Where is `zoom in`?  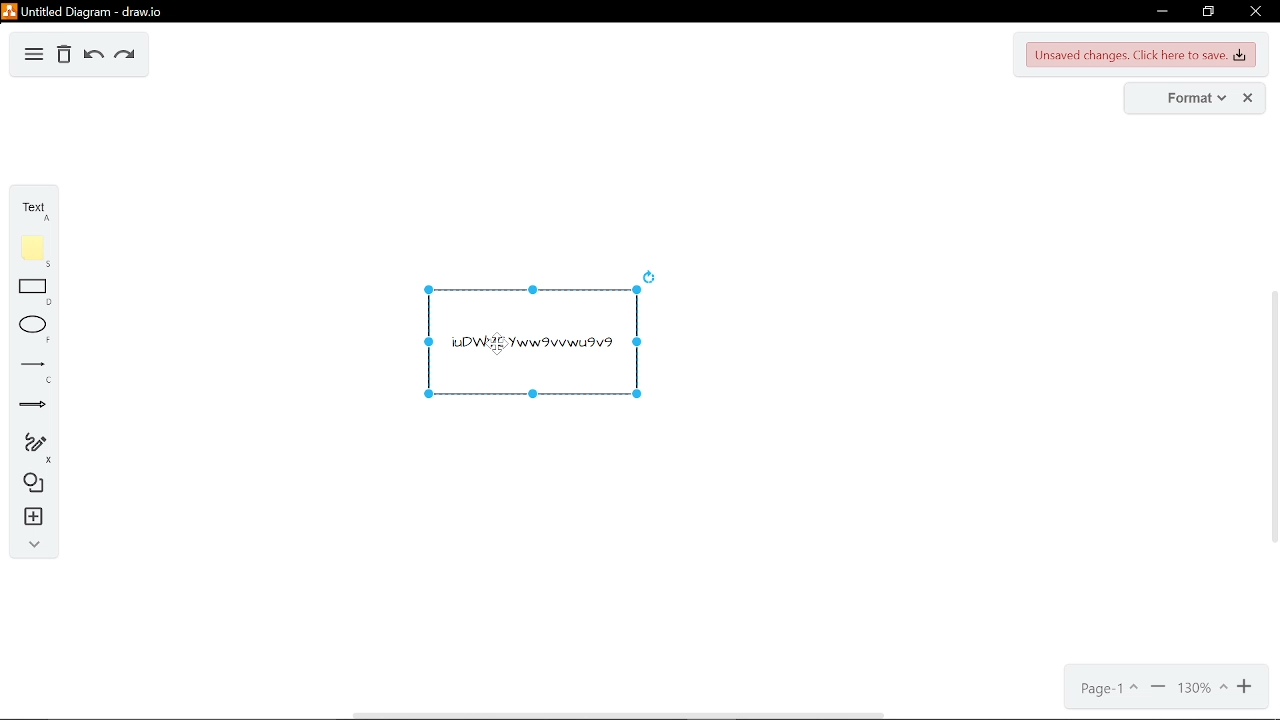 zoom in is located at coordinates (1246, 690).